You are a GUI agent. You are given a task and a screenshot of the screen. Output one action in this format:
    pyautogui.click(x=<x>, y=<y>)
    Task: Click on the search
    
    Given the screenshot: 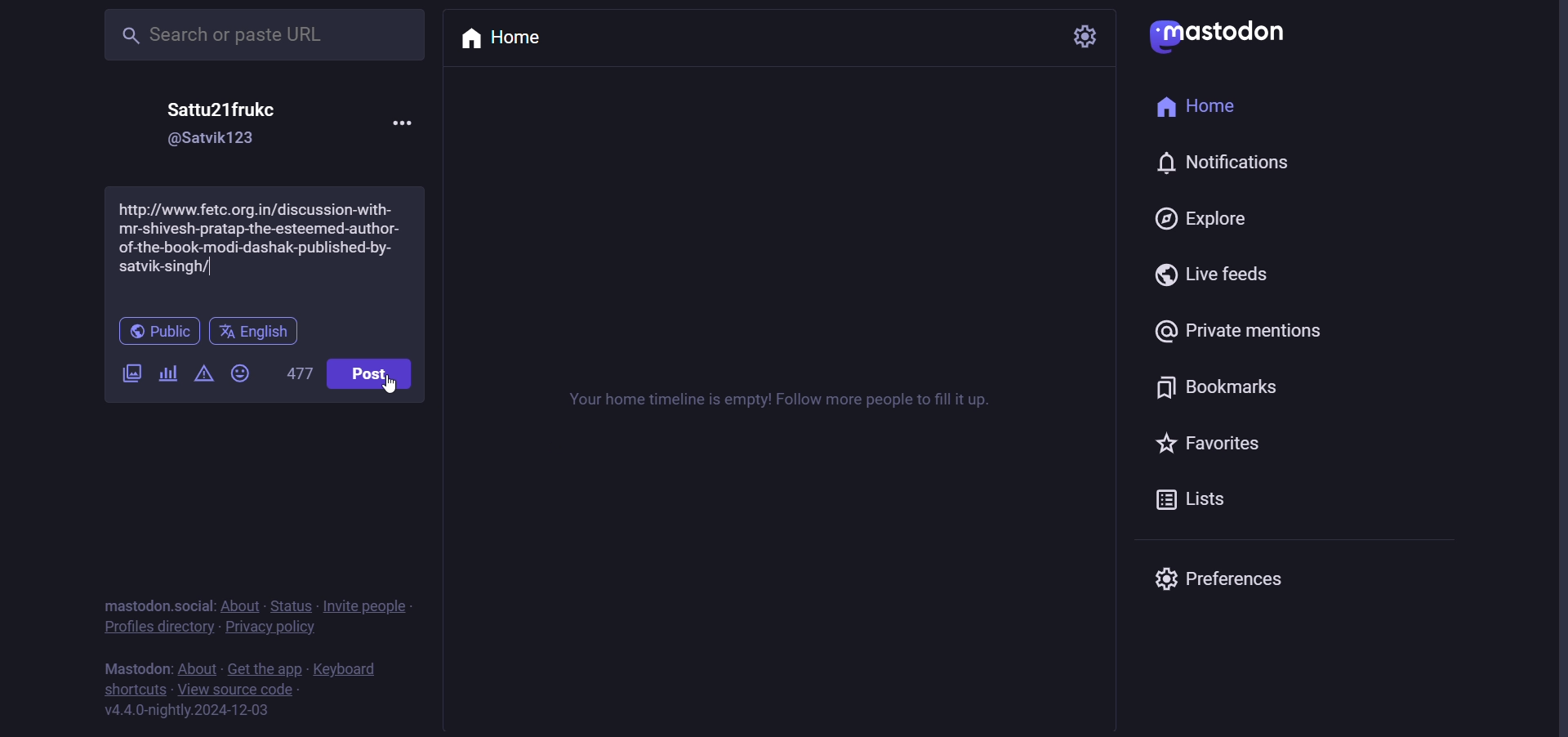 What is the action you would take?
    pyautogui.click(x=258, y=35)
    